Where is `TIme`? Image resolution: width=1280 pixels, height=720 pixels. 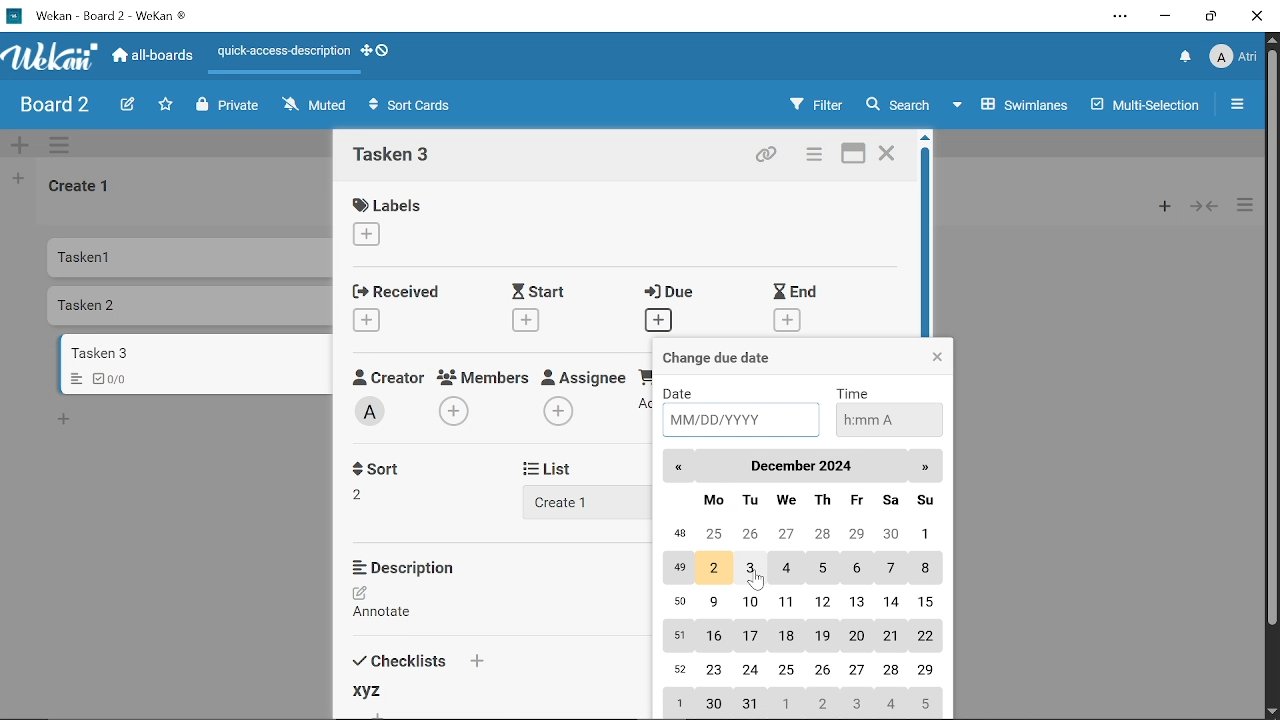
TIme is located at coordinates (856, 392).